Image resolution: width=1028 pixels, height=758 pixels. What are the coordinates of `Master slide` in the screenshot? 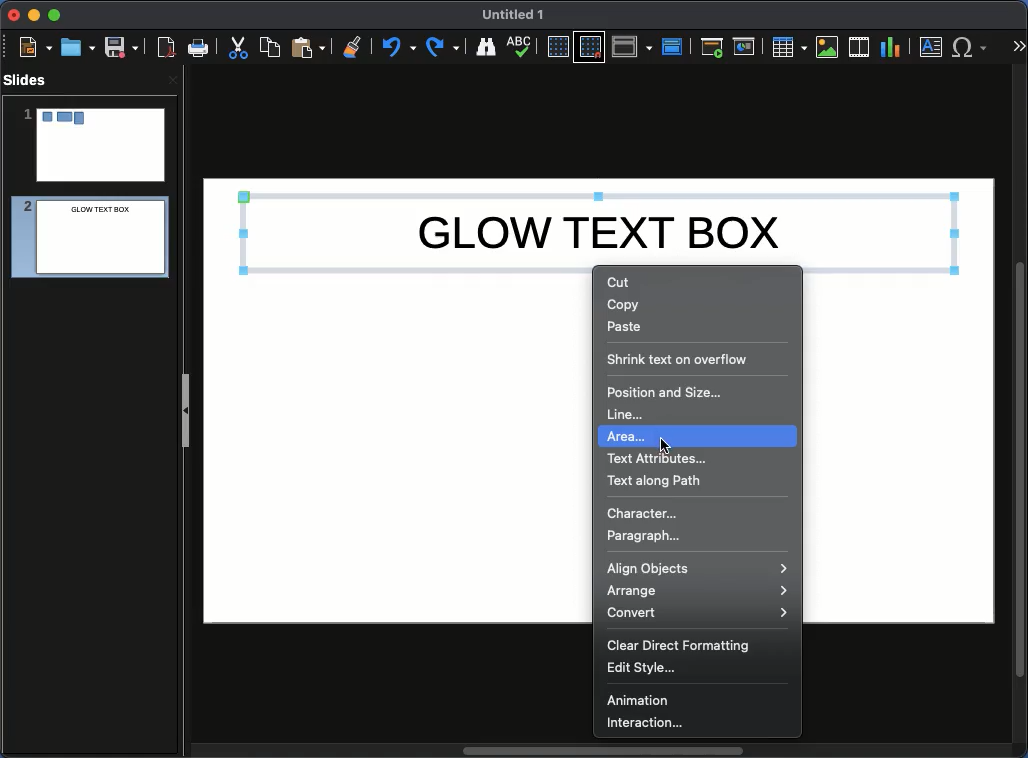 It's located at (675, 46).